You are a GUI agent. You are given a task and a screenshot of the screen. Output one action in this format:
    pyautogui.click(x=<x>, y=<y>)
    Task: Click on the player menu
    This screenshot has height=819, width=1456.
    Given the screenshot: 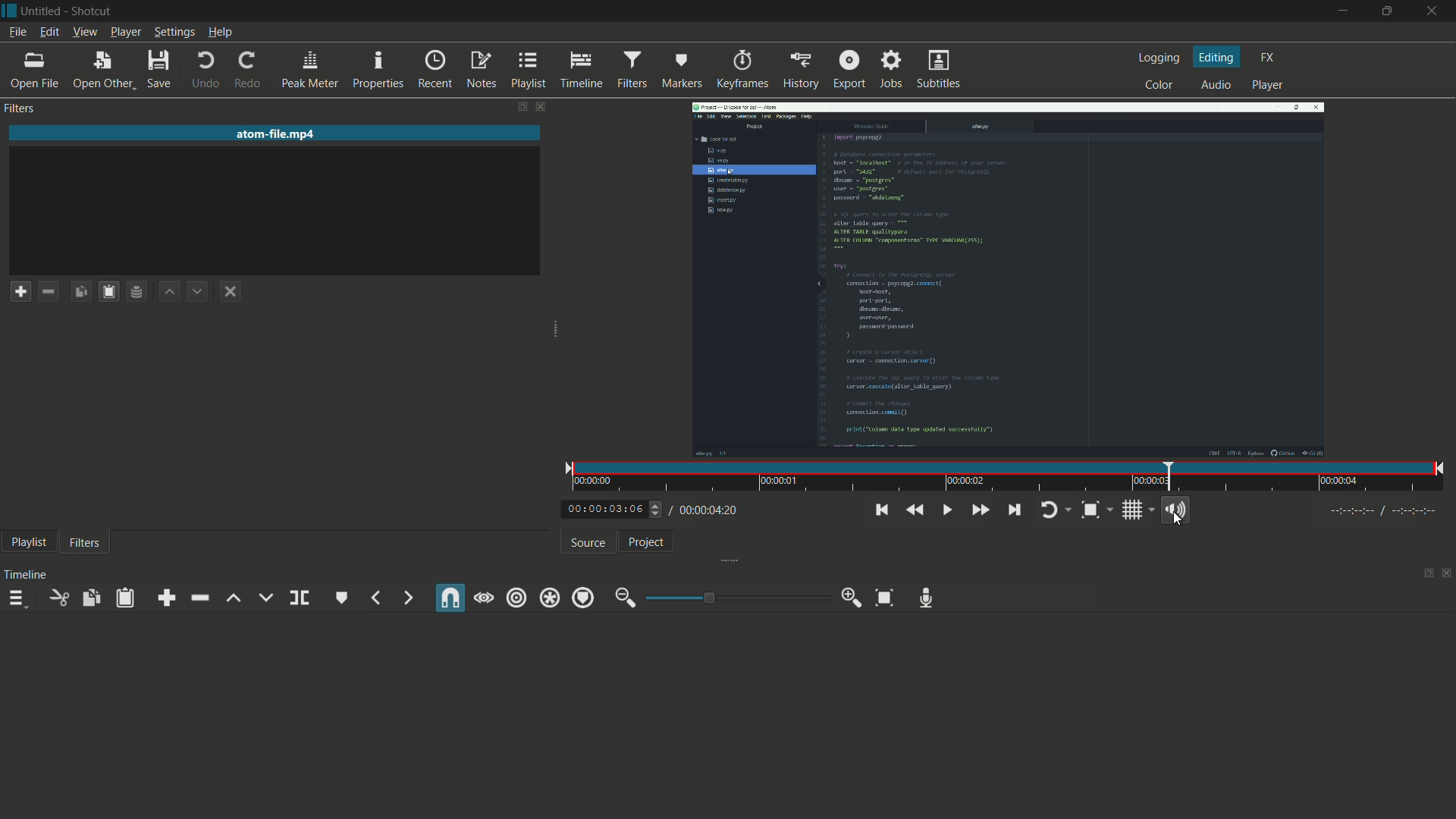 What is the action you would take?
    pyautogui.click(x=125, y=32)
    